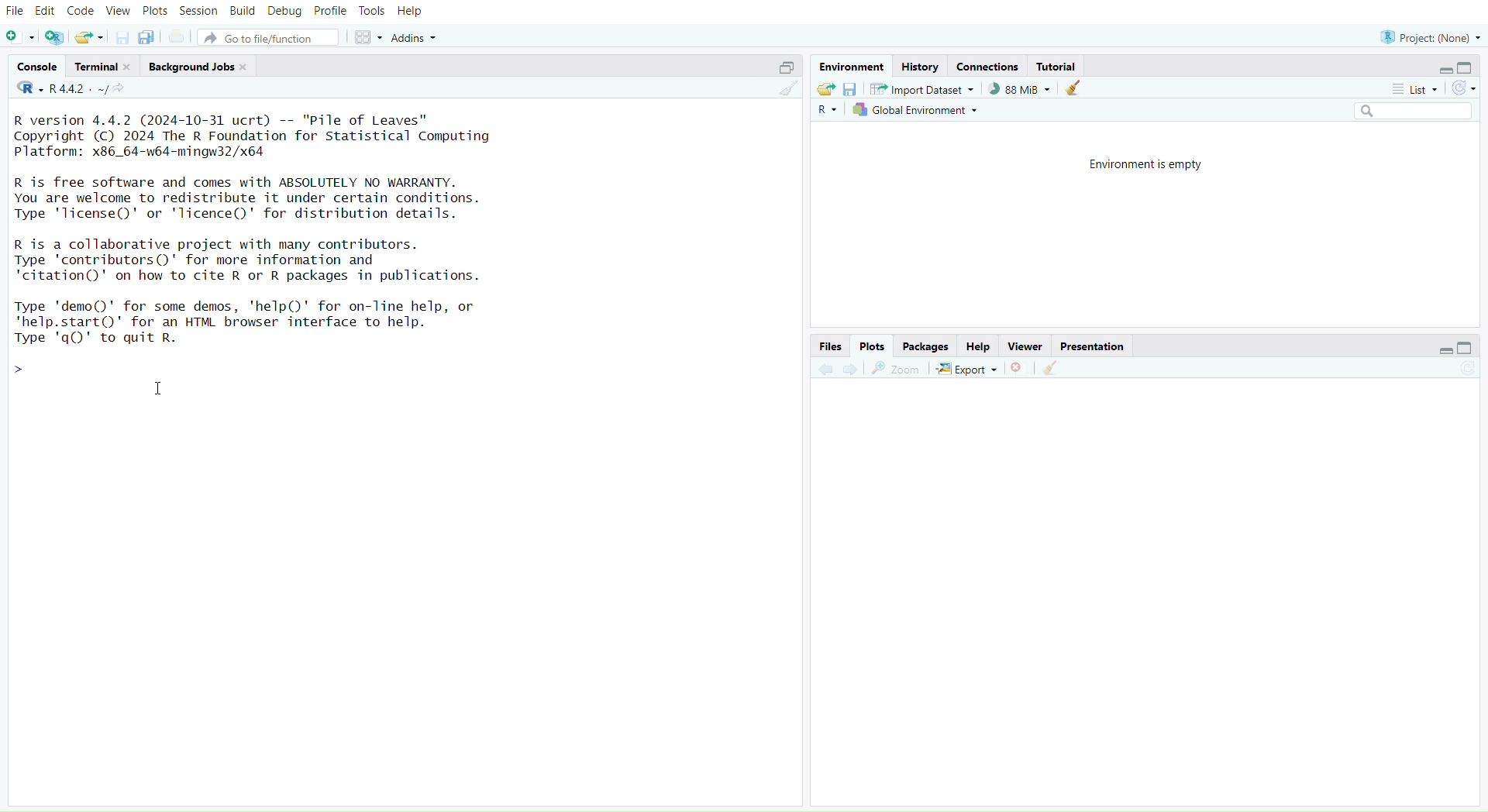 The image size is (1488, 812). I want to click on packages, so click(928, 347).